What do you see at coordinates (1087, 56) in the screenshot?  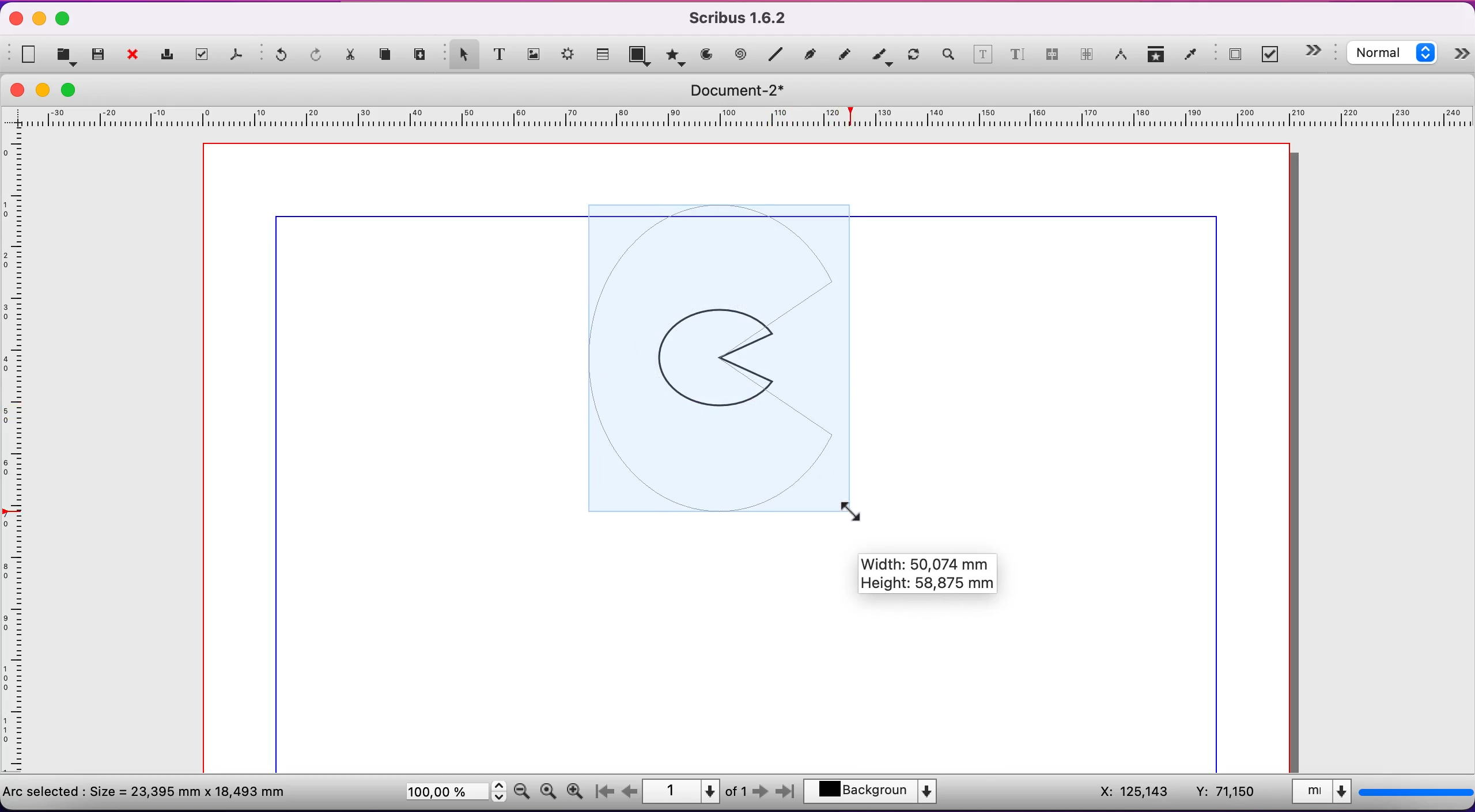 I see `unlink text frames` at bounding box center [1087, 56].